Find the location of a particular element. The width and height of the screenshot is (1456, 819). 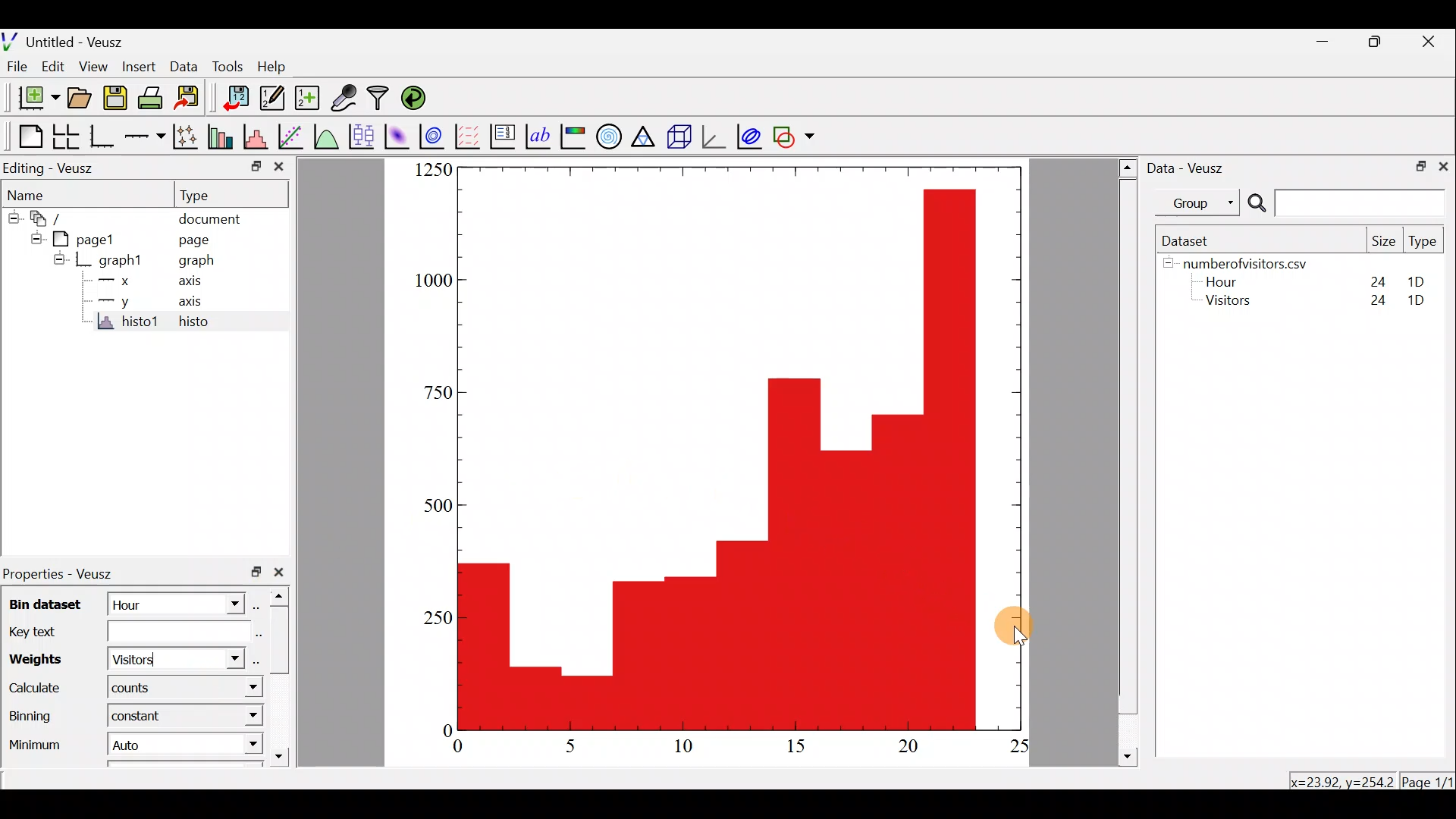

minimize is located at coordinates (1323, 43).